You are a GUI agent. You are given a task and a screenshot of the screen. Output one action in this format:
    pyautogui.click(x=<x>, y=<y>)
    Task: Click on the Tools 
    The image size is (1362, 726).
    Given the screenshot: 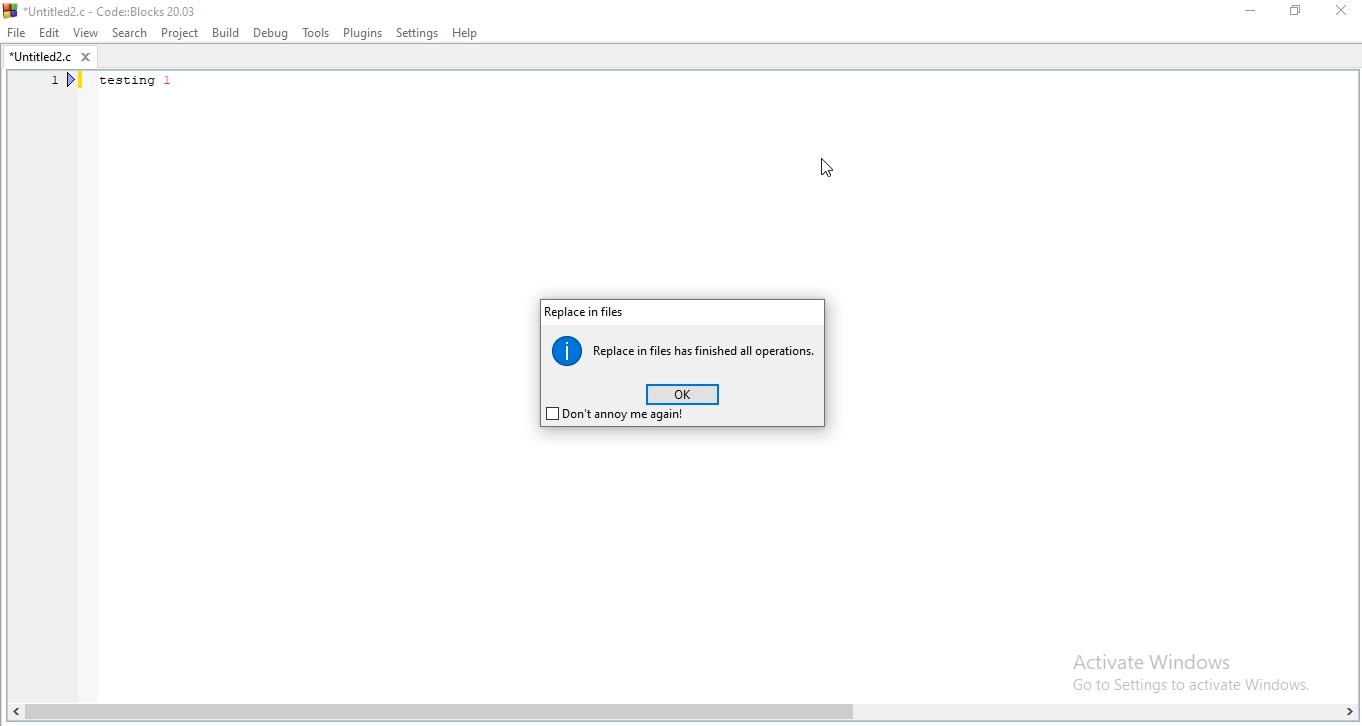 What is the action you would take?
    pyautogui.click(x=315, y=34)
    